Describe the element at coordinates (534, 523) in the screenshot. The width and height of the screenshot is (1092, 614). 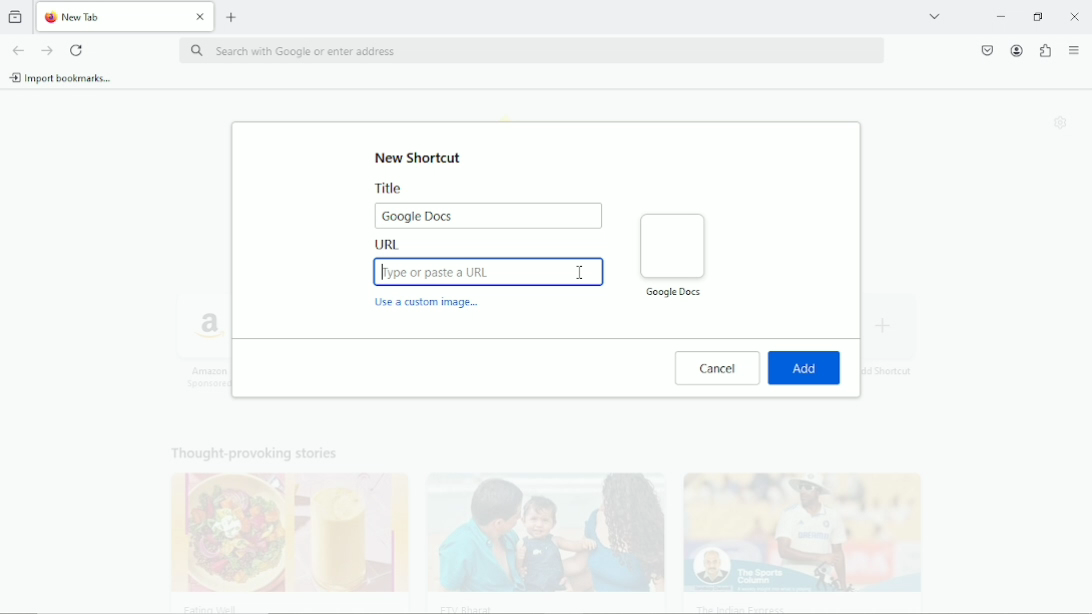
I see `Thought provoking stories` at that location.